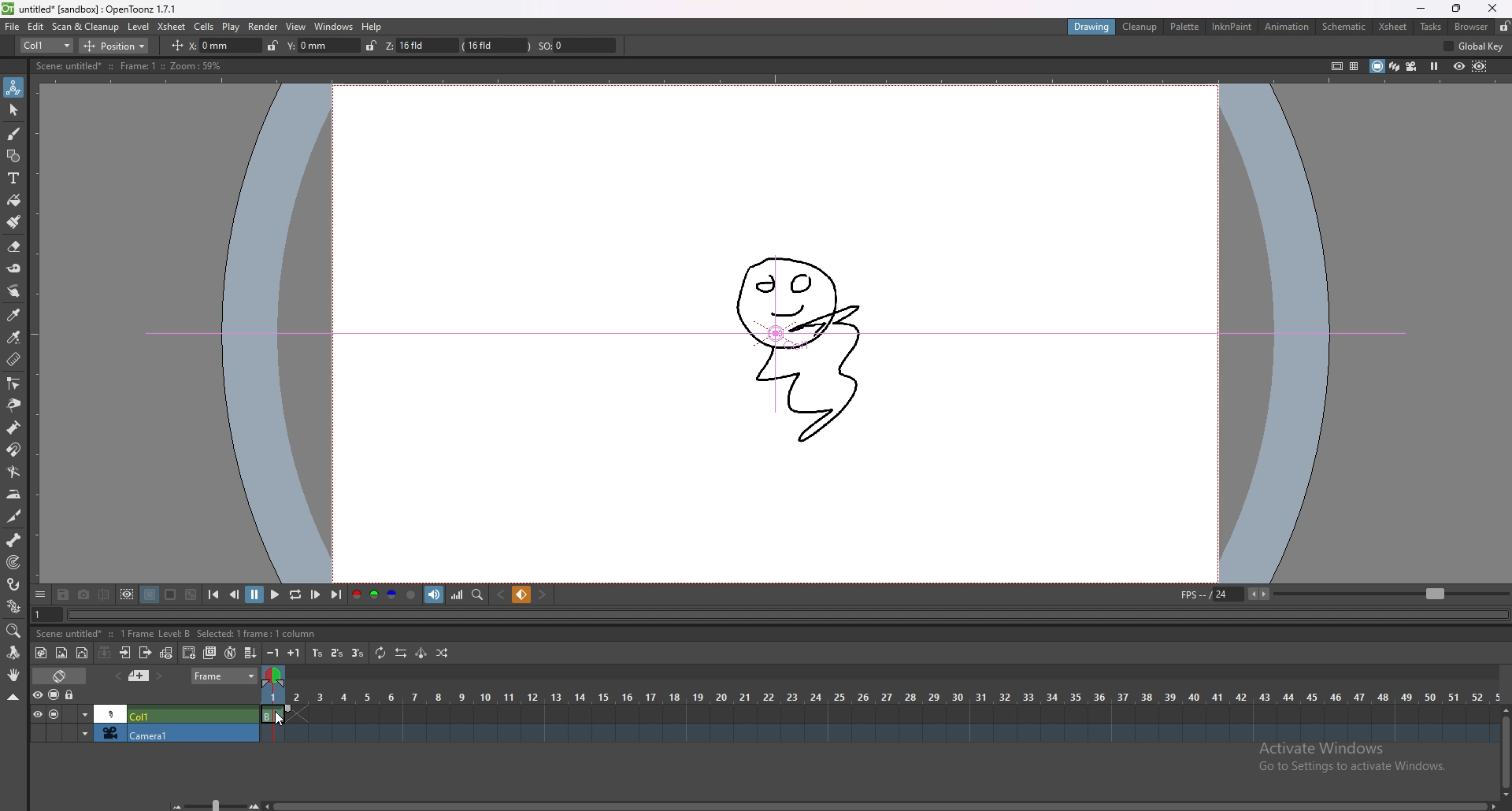 The image size is (1512, 811). Describe the element at coordinates (13, 405) in the screenshot. I see `pinch` at that location.